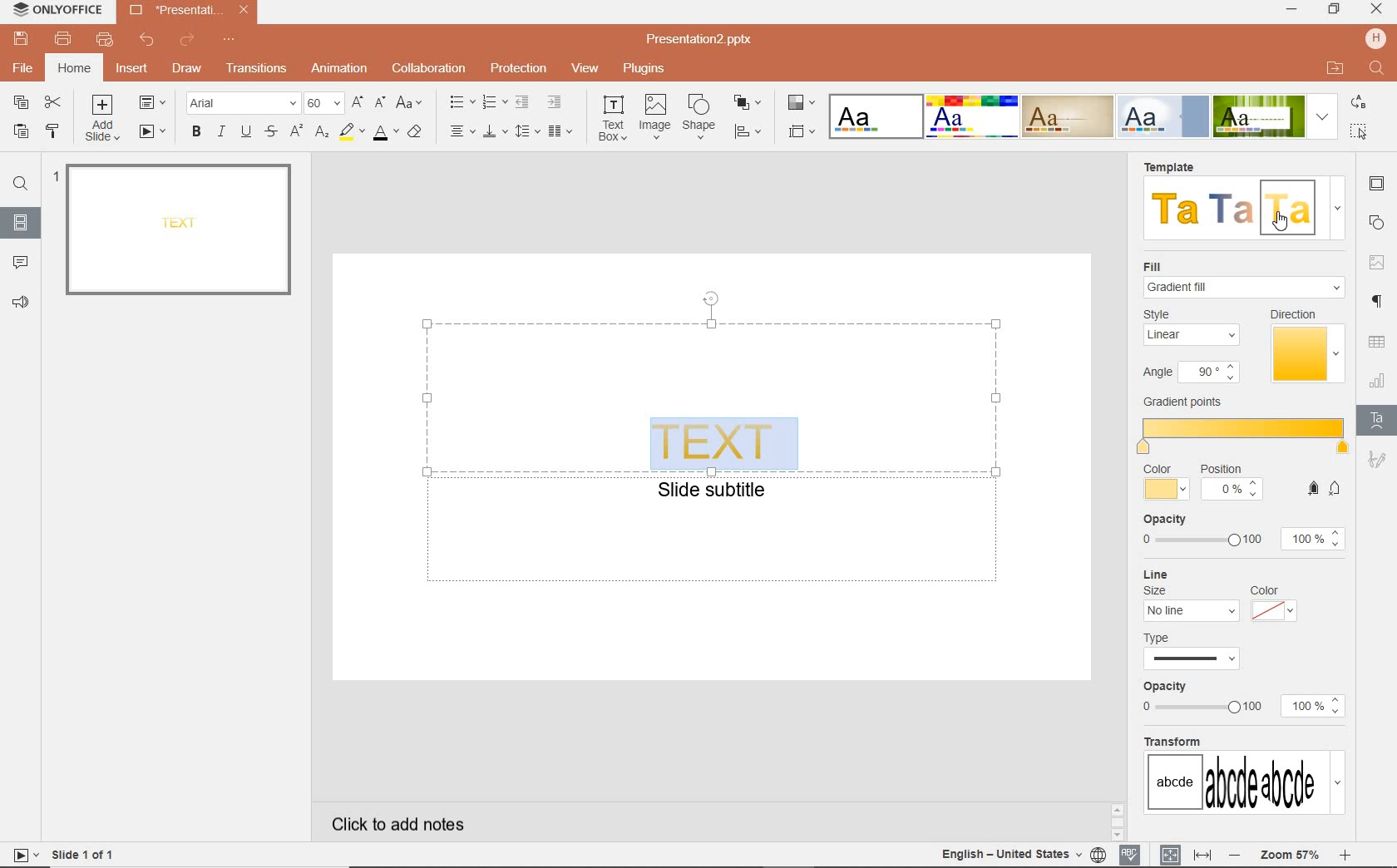  Describe the element at coordinates (1377, 10) in the screenshot. I see `close` at that location.